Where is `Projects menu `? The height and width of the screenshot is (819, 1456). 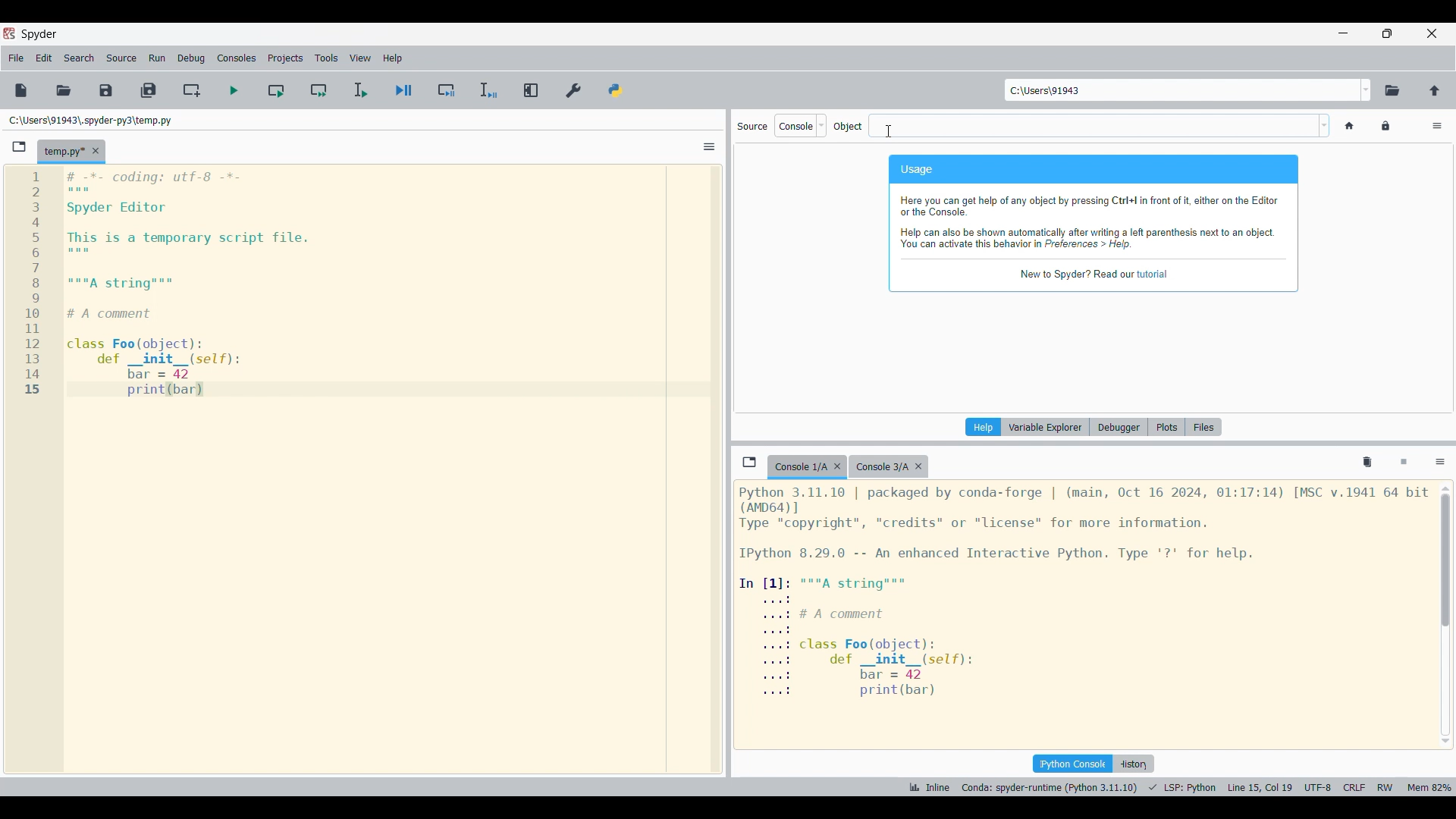
Projects menu  is located at coordinates (285, 58).